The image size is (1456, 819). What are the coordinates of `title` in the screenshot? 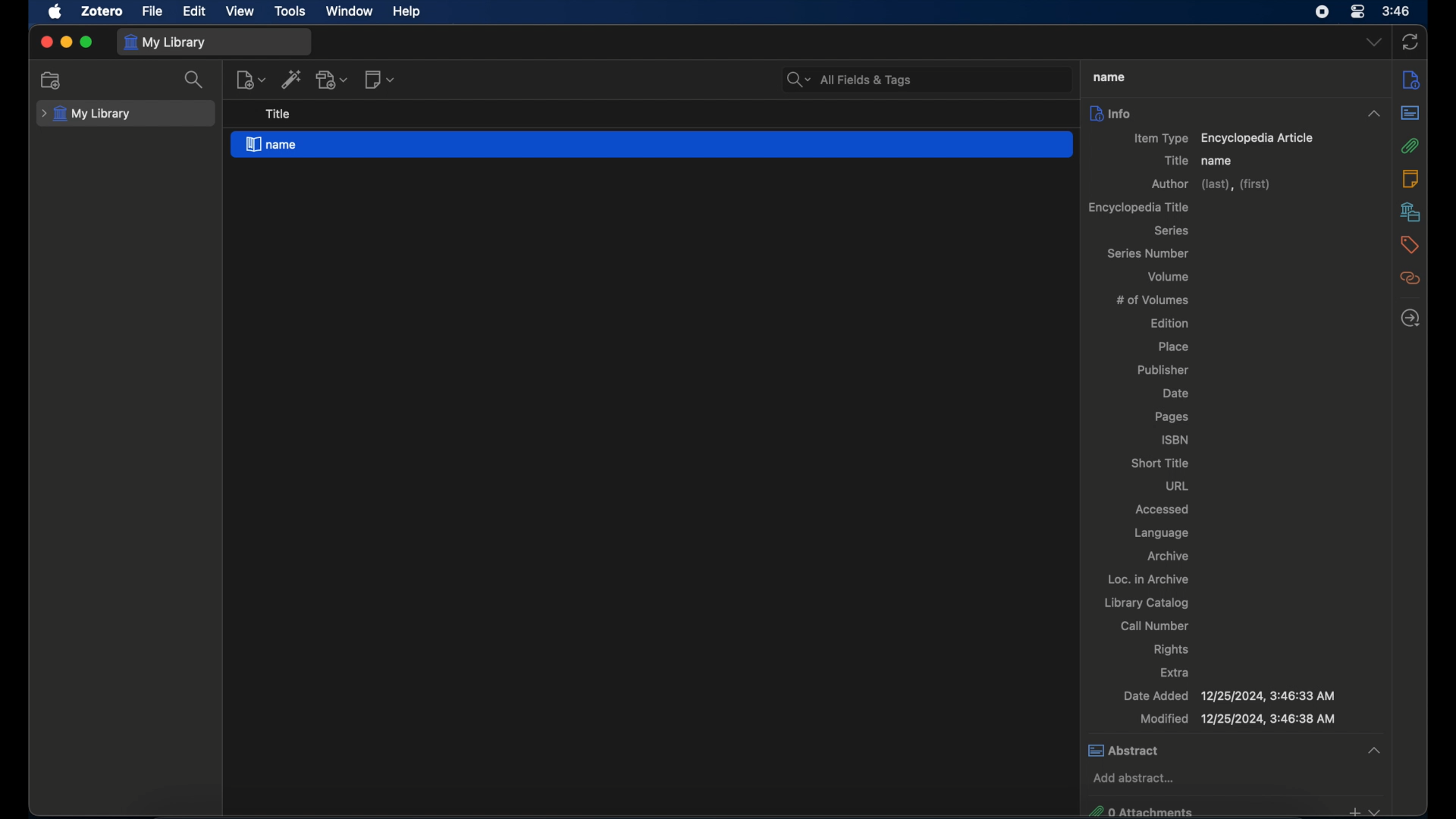 It's located at (278, 115).